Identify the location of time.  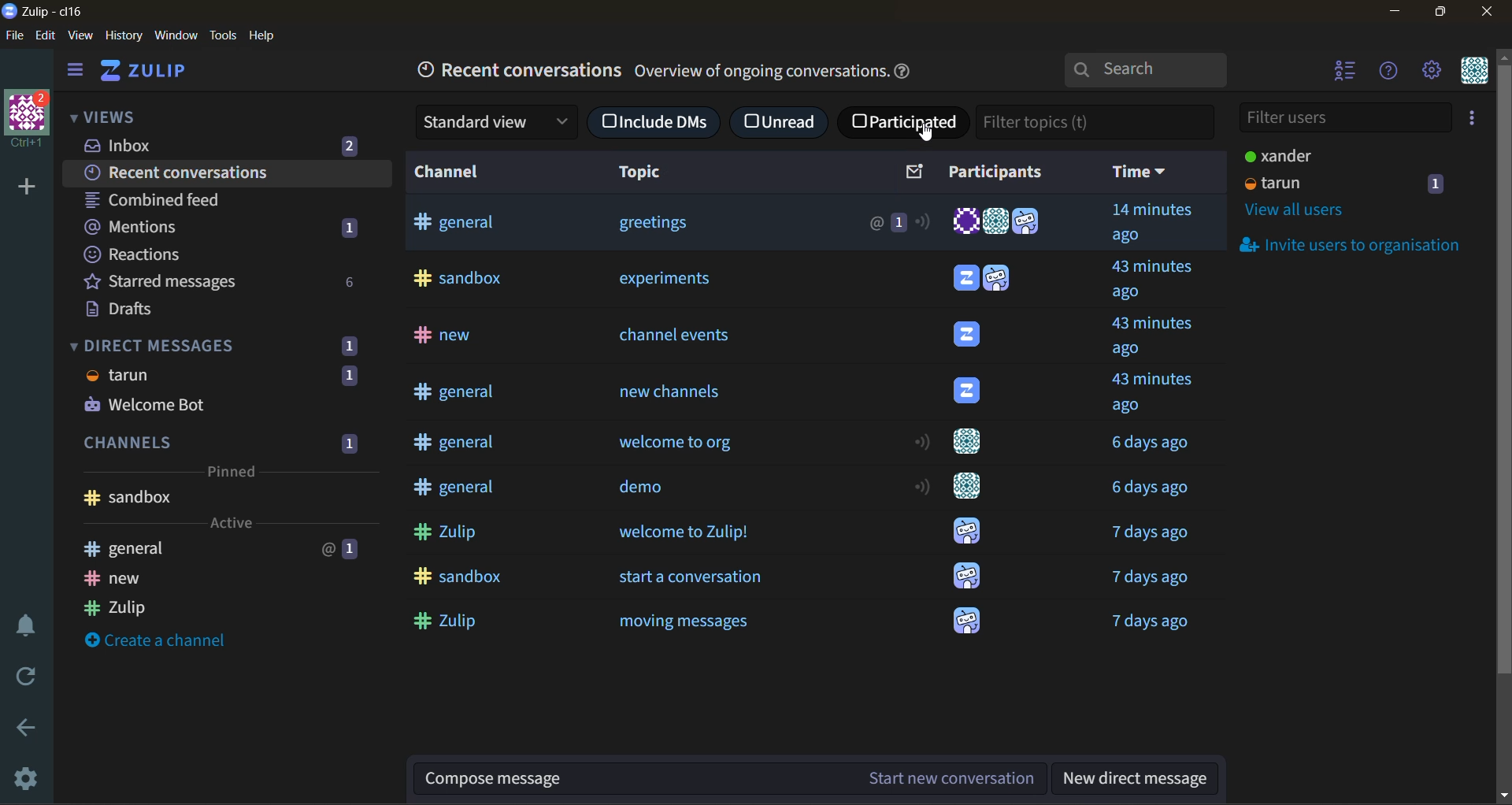
(1151, 487).